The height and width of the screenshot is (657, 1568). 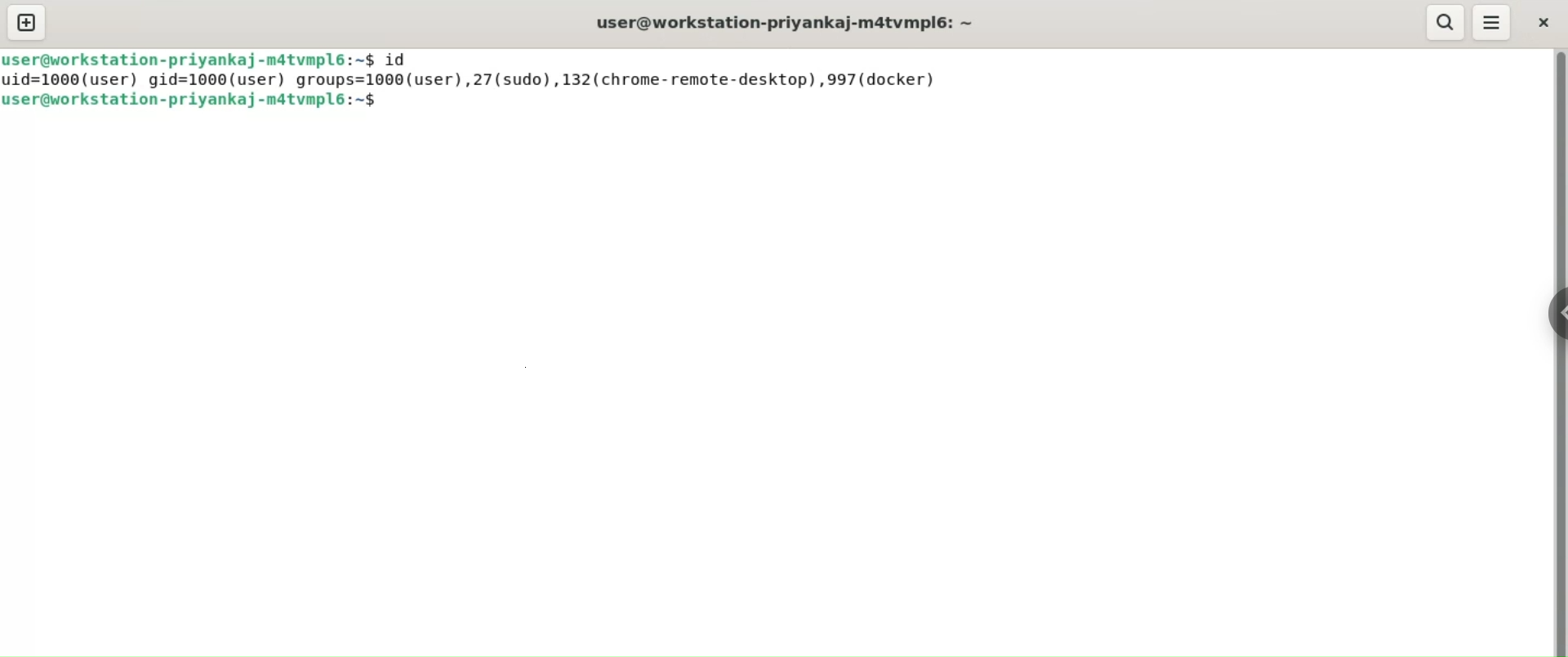 I want to click on menu, so click(x=1492, y=23).